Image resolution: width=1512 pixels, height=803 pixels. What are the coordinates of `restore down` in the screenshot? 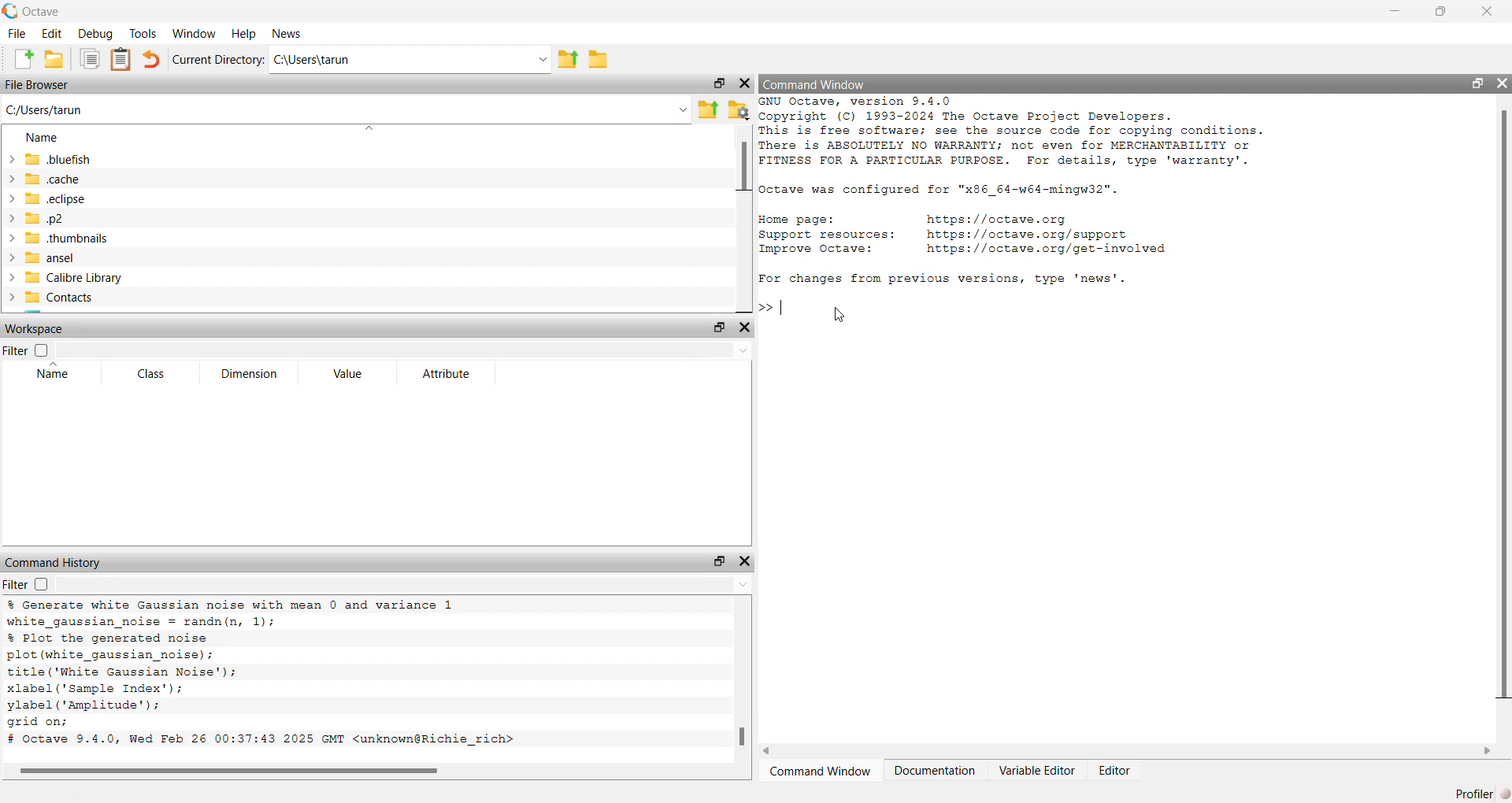 It's located at (717, 329).